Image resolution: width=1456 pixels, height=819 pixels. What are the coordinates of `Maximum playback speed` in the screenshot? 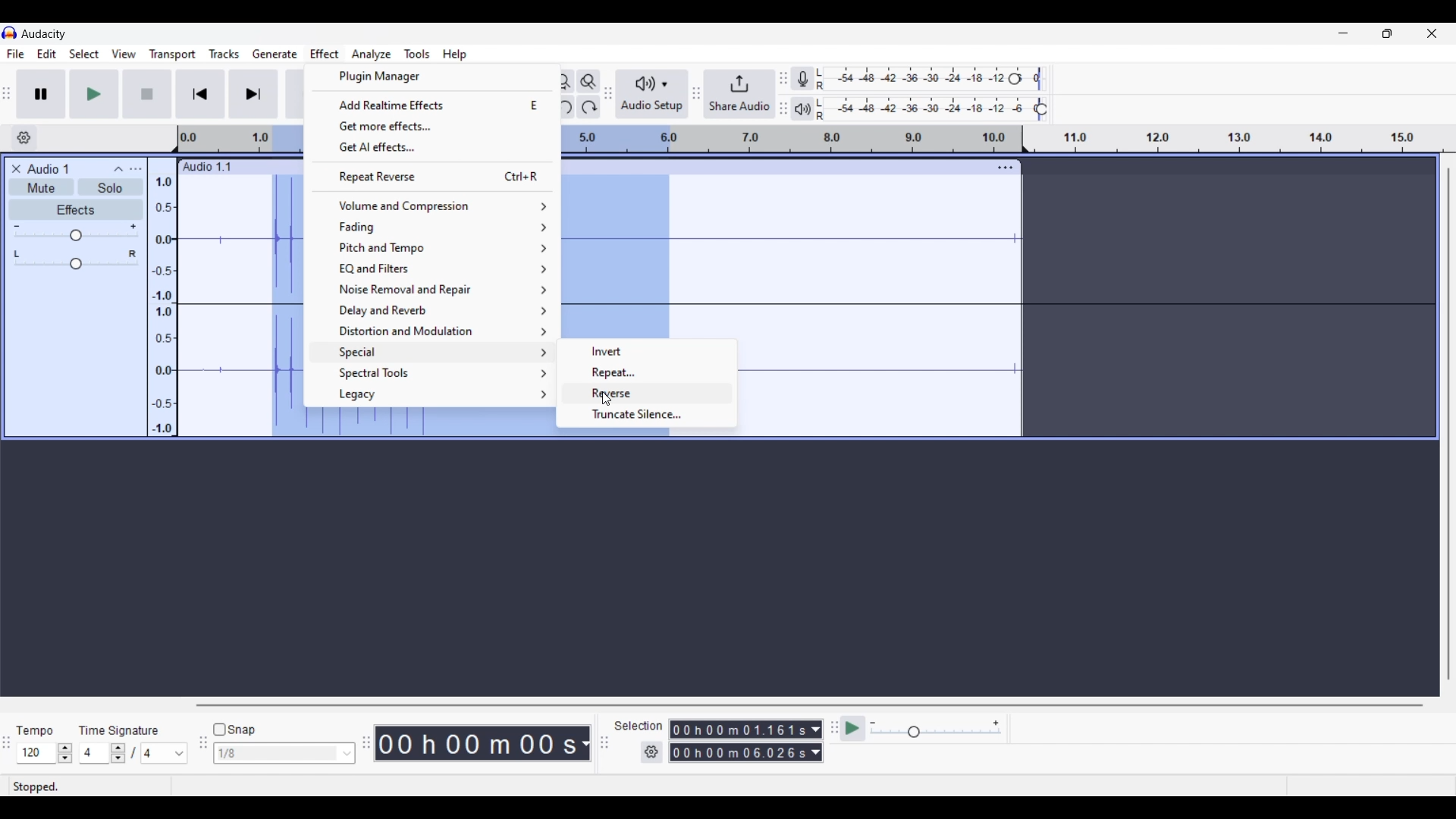 It's located at (996, 723).